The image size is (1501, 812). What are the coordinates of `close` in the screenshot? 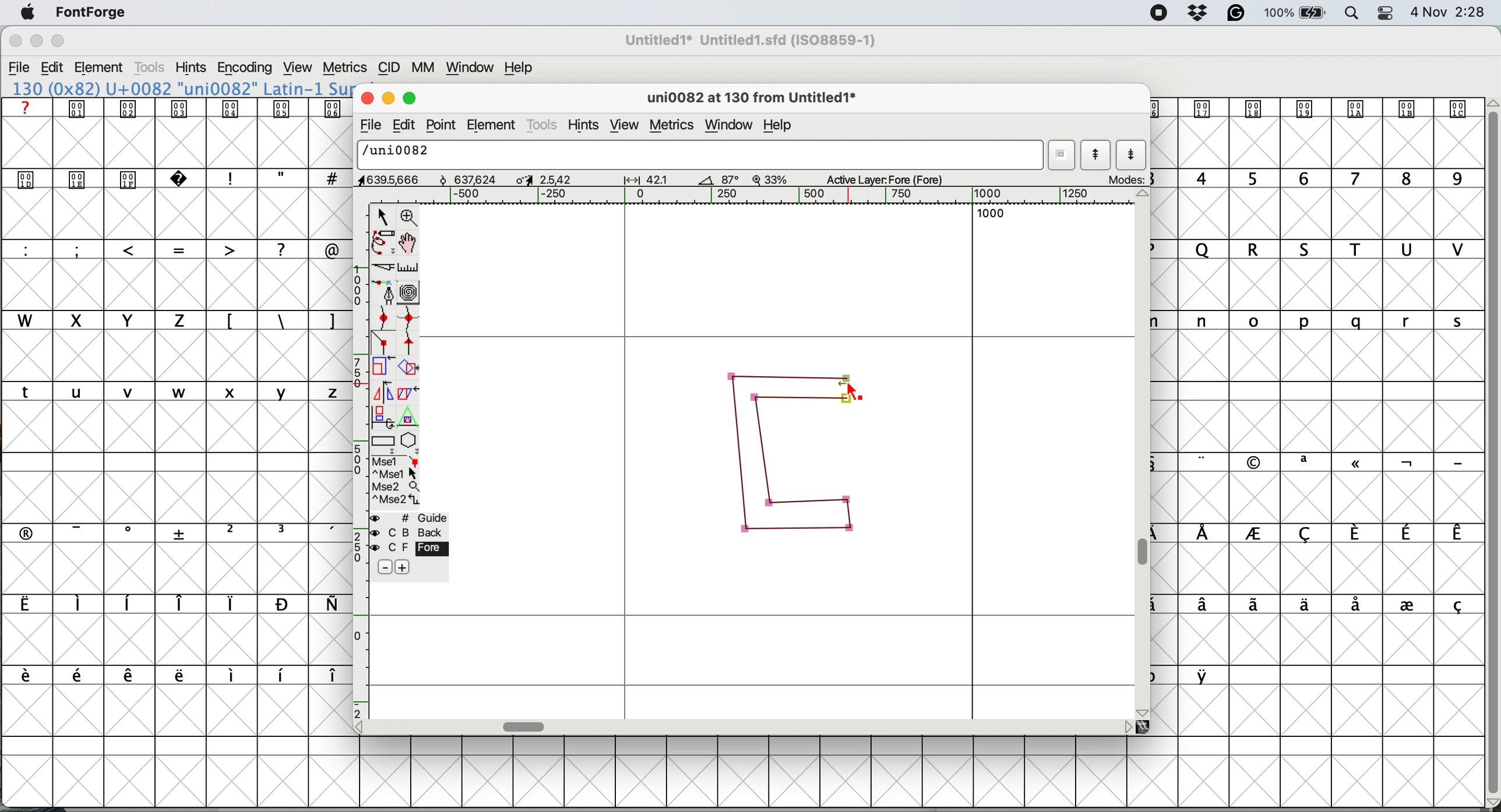 It's located at (365, 96).